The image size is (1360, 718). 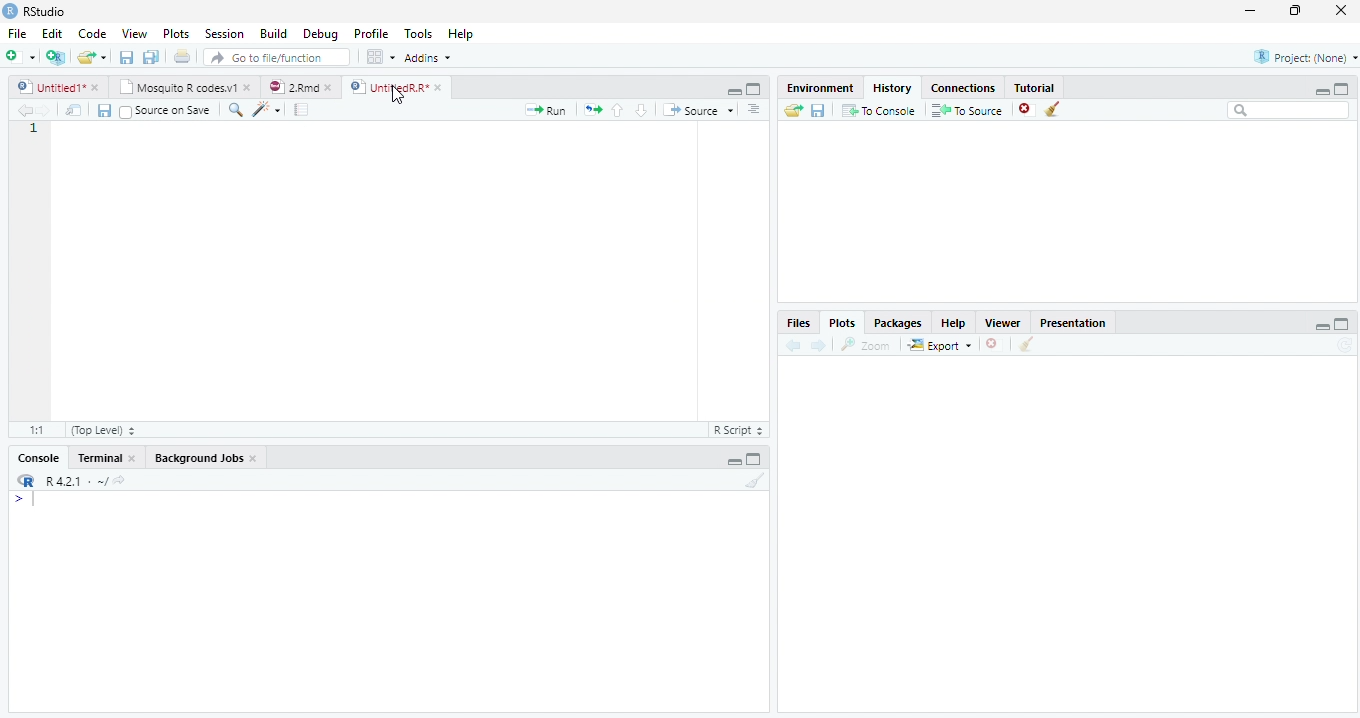 I want to click on Code, so click(x=96, y=34).